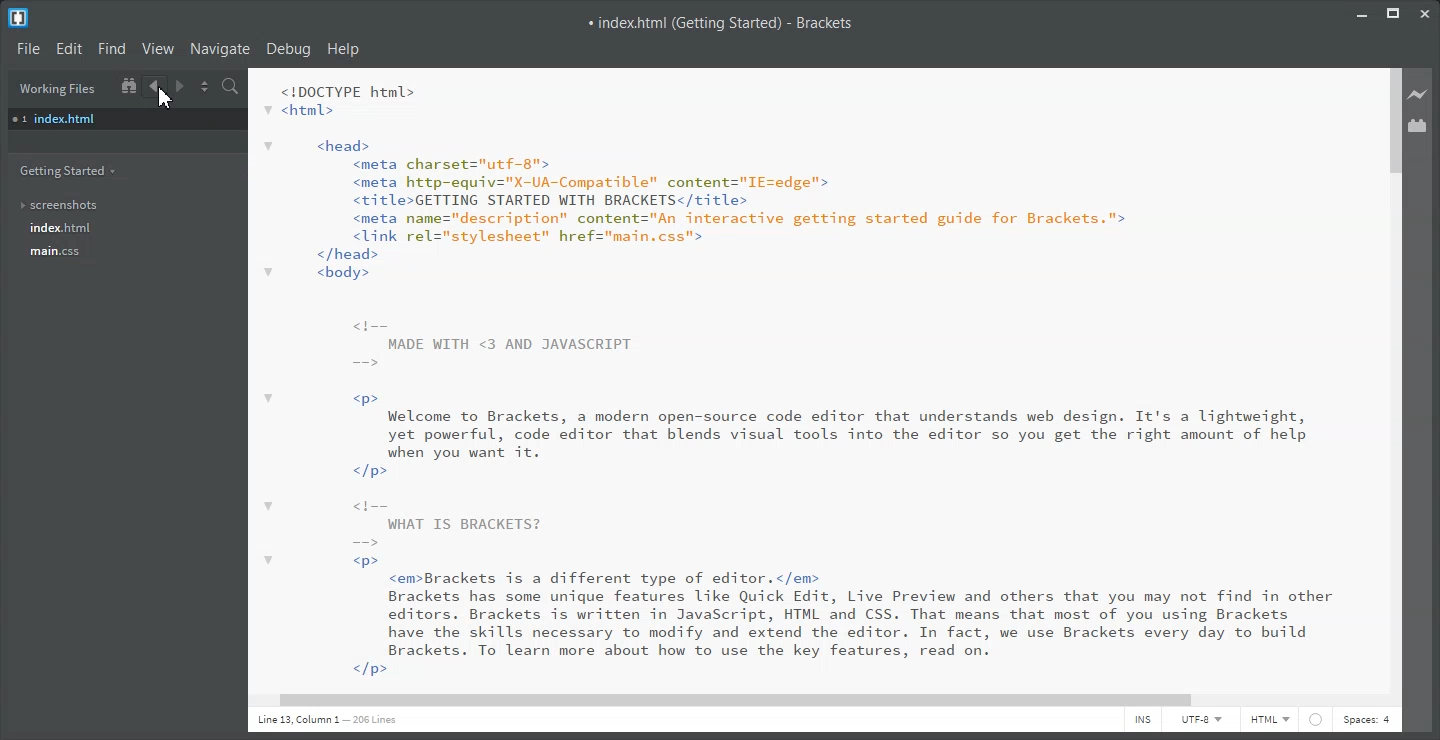 Image resolution: width=1440 pixels, height=740 pixels. I want to click on index.html, so click(126, 119).